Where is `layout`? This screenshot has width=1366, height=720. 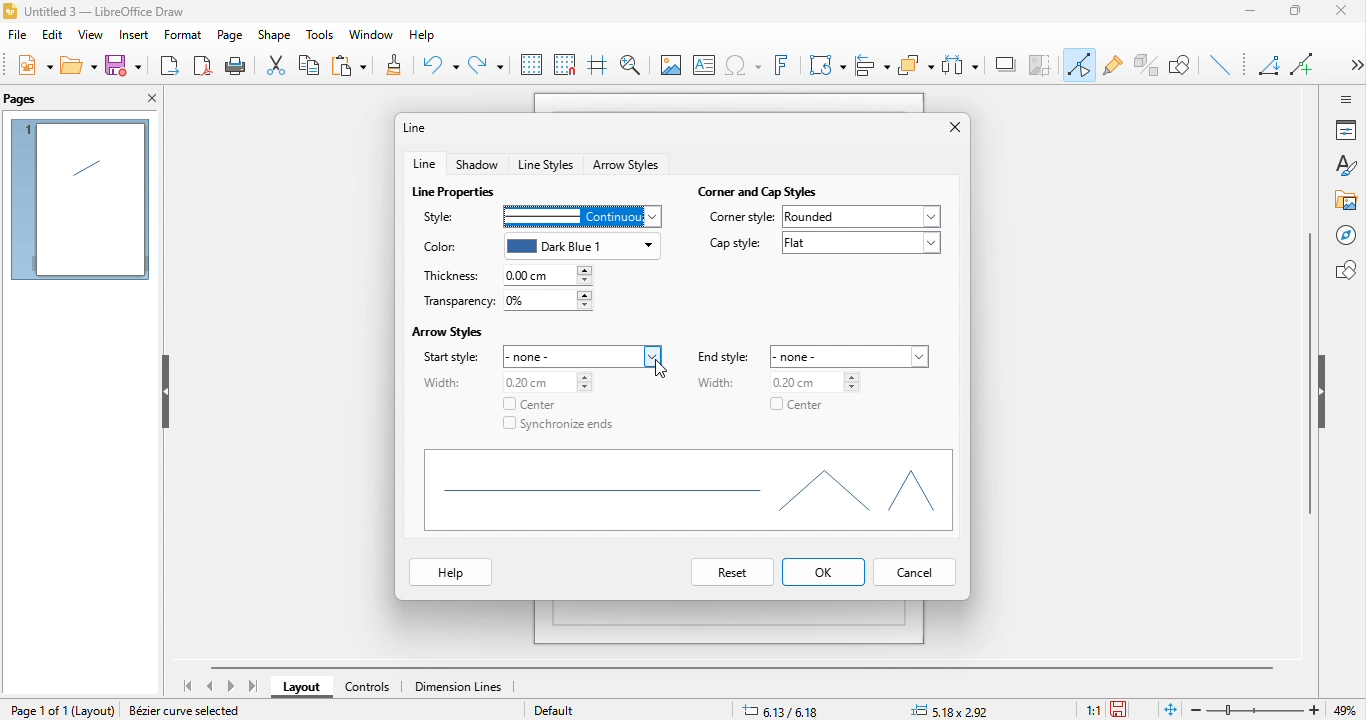 layout is located at coordinates (301, 689).